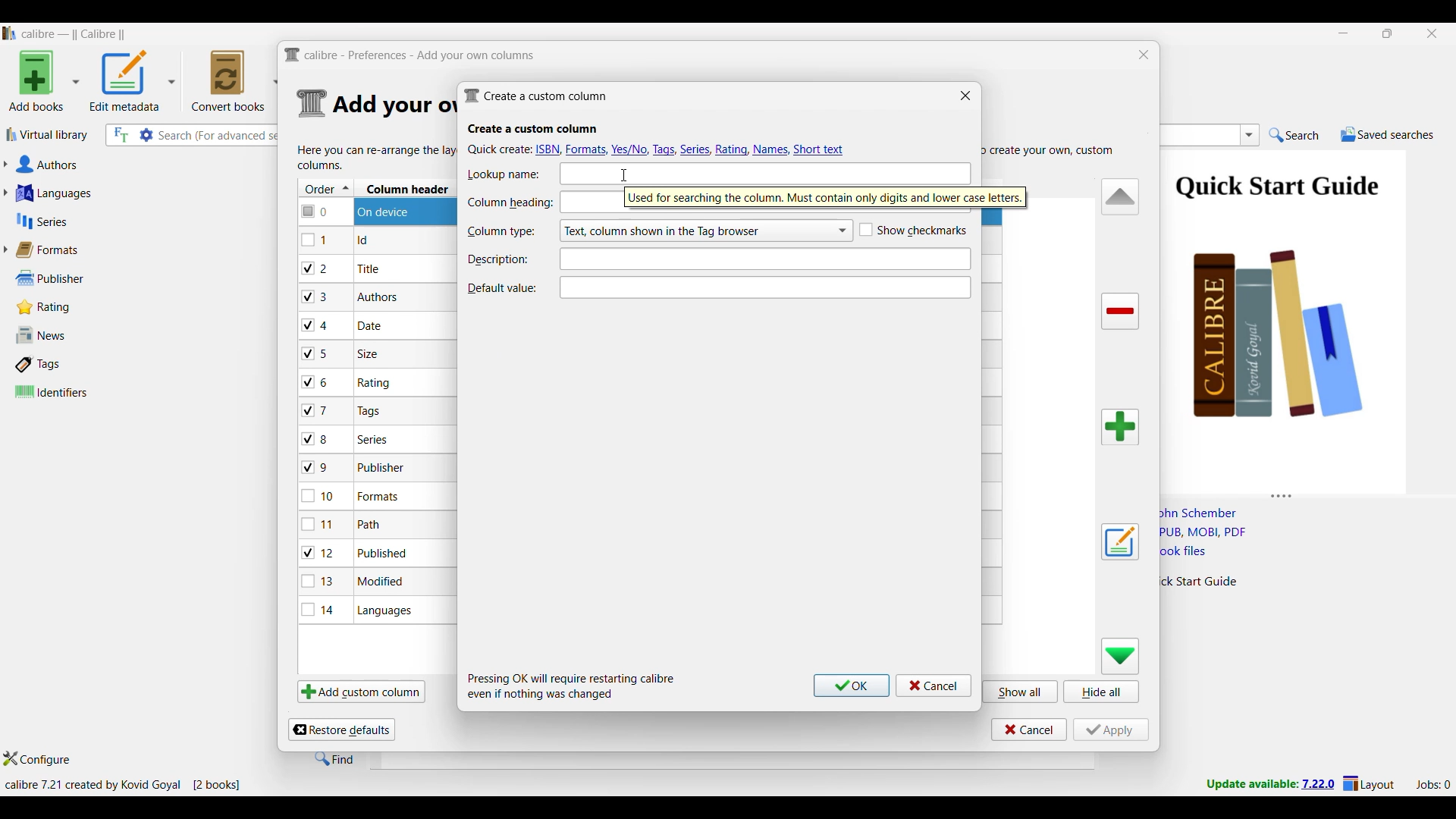 This screenshot has height=819, width=1456. I want to click on Indicates Lookup name text box, so click(504, 175).